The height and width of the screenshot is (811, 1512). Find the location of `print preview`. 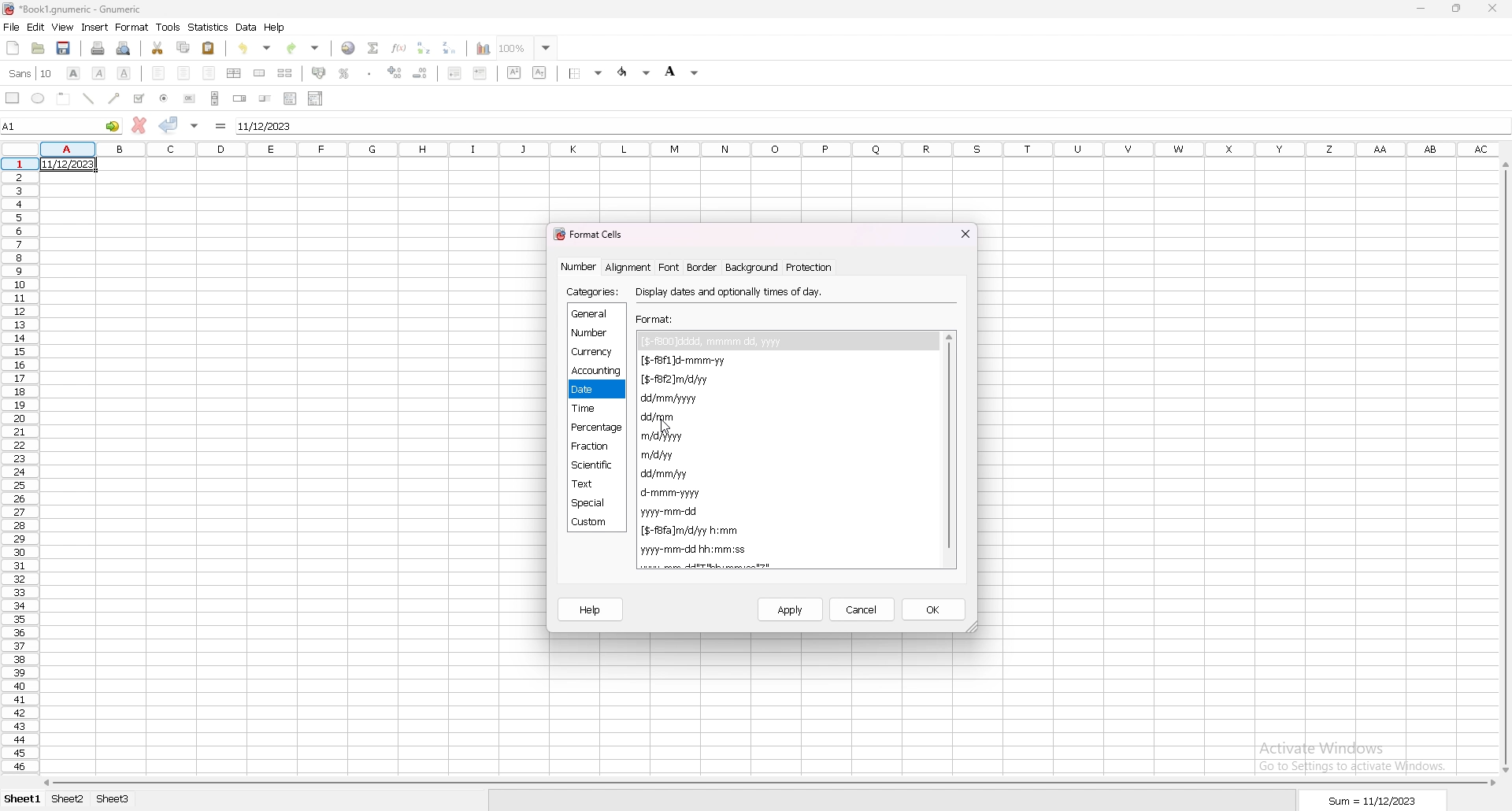

print preview is located at coordinates (124, 49).